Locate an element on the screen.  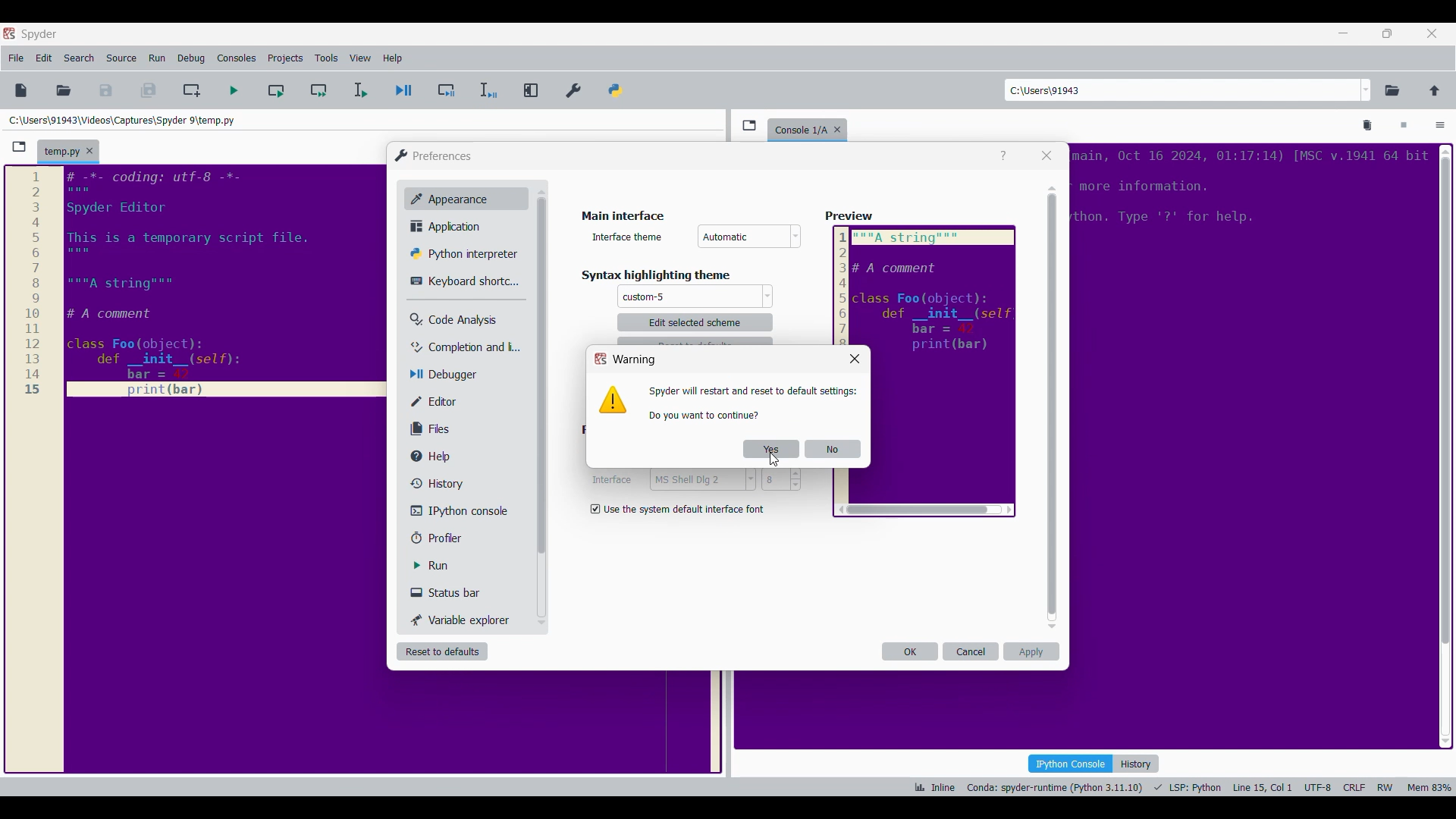
Appearance, current setting highlighted is located at coordinates (467, 198).